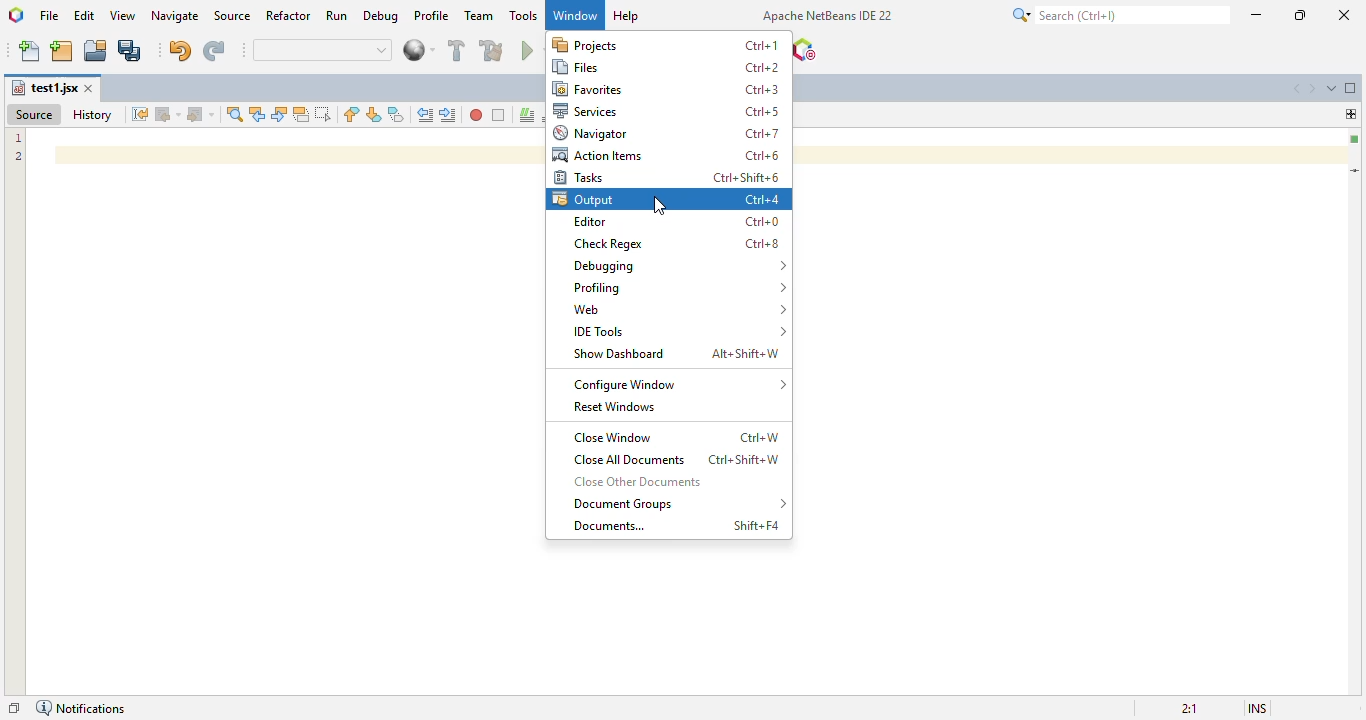 The image size is (1366, 720). Describe the element at coordinates (16, 15) in the screenshot. I see `logo` at that location.